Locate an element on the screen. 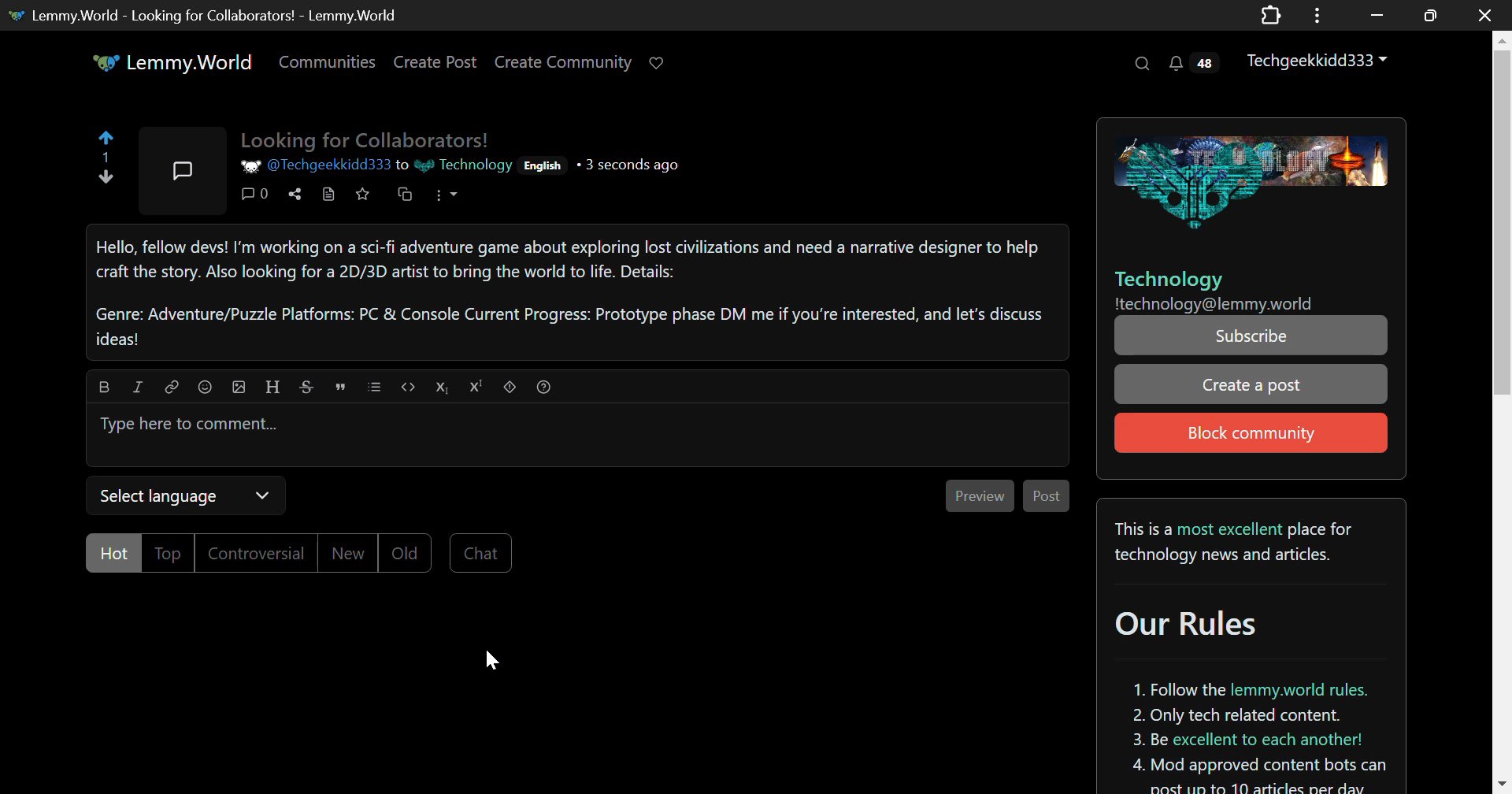  Subscribe is located at coordinates (1252, 337).